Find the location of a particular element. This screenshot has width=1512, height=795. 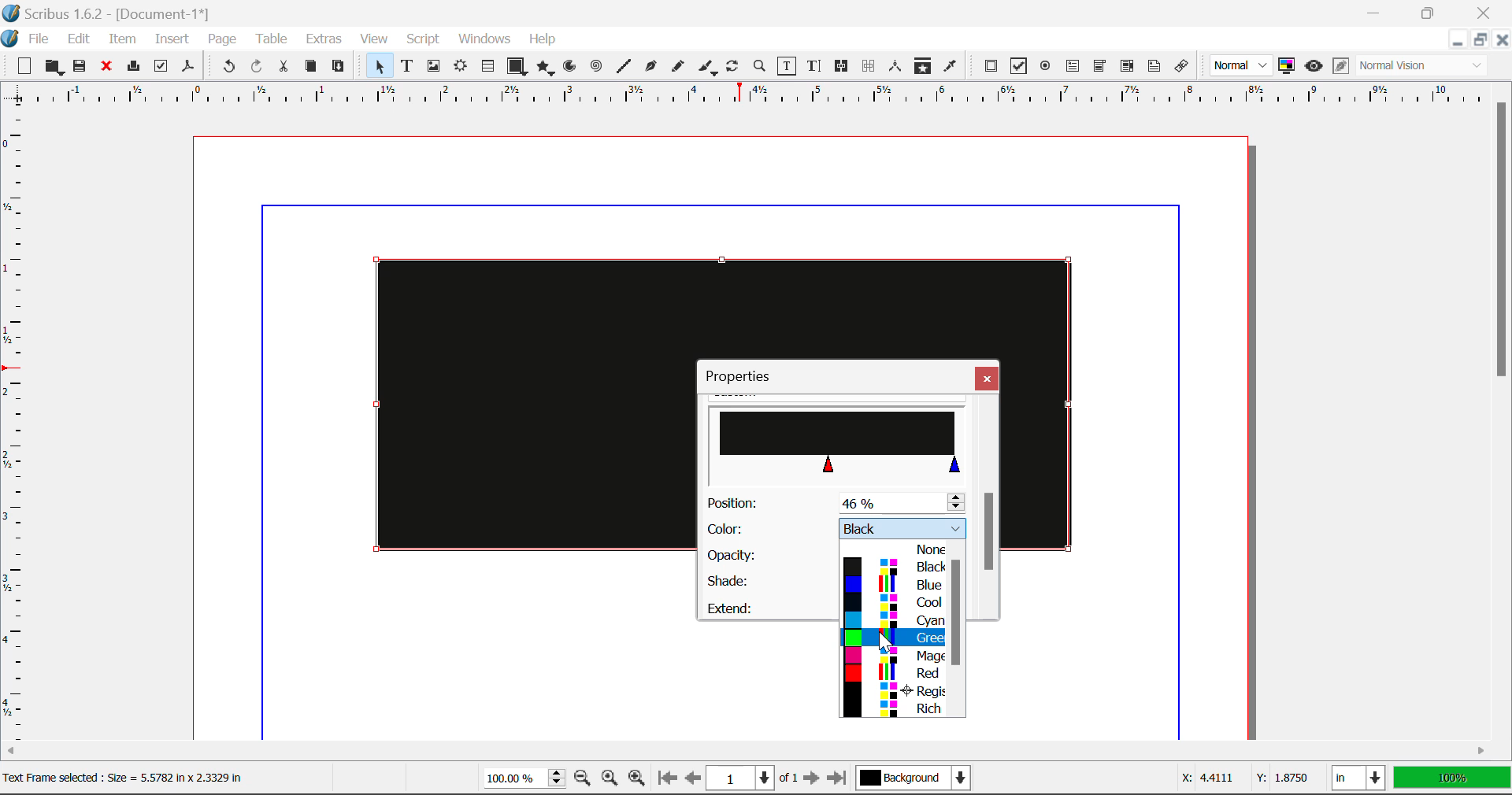

Print is located at coordinates (132, 66).